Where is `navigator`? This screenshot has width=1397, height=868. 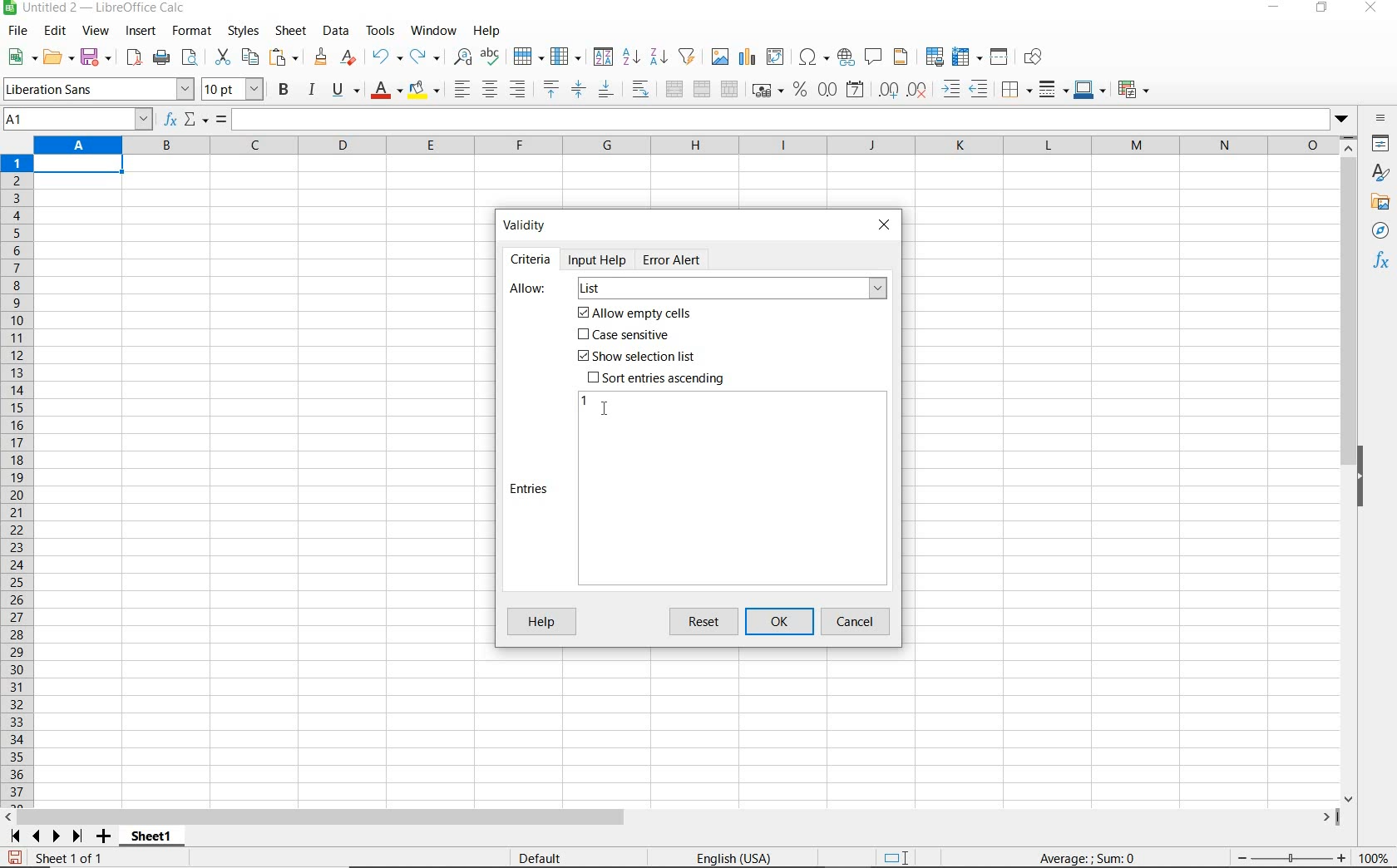 navigator is located at coordinates (1383, 234).